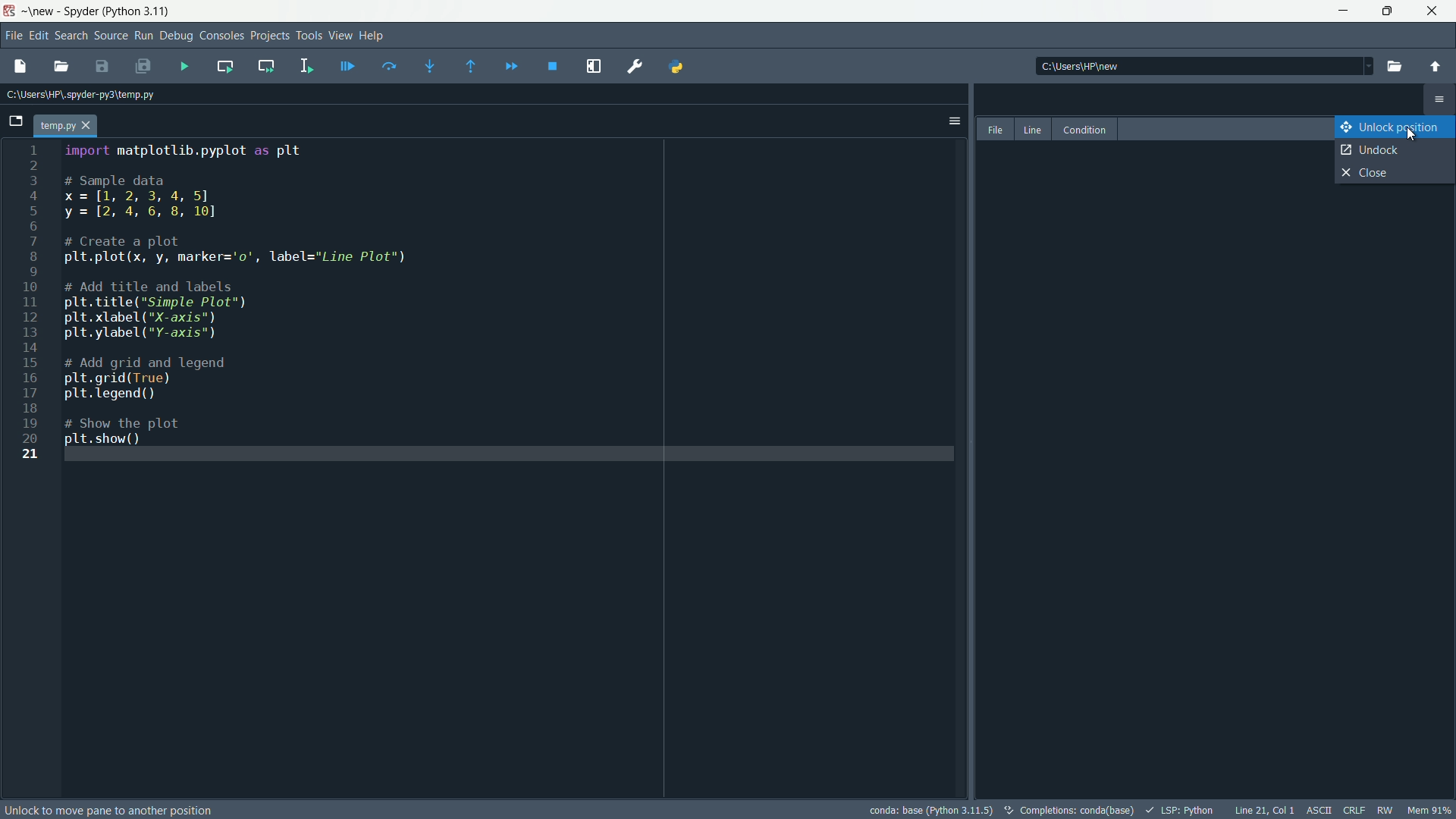 Image resolution: width=1456 pixels, height=819 pixels. What do you see at coordinates (508, 65) in the screenshot?
I see `continue execution untill next breakdown` at bounding box center [508, 65].